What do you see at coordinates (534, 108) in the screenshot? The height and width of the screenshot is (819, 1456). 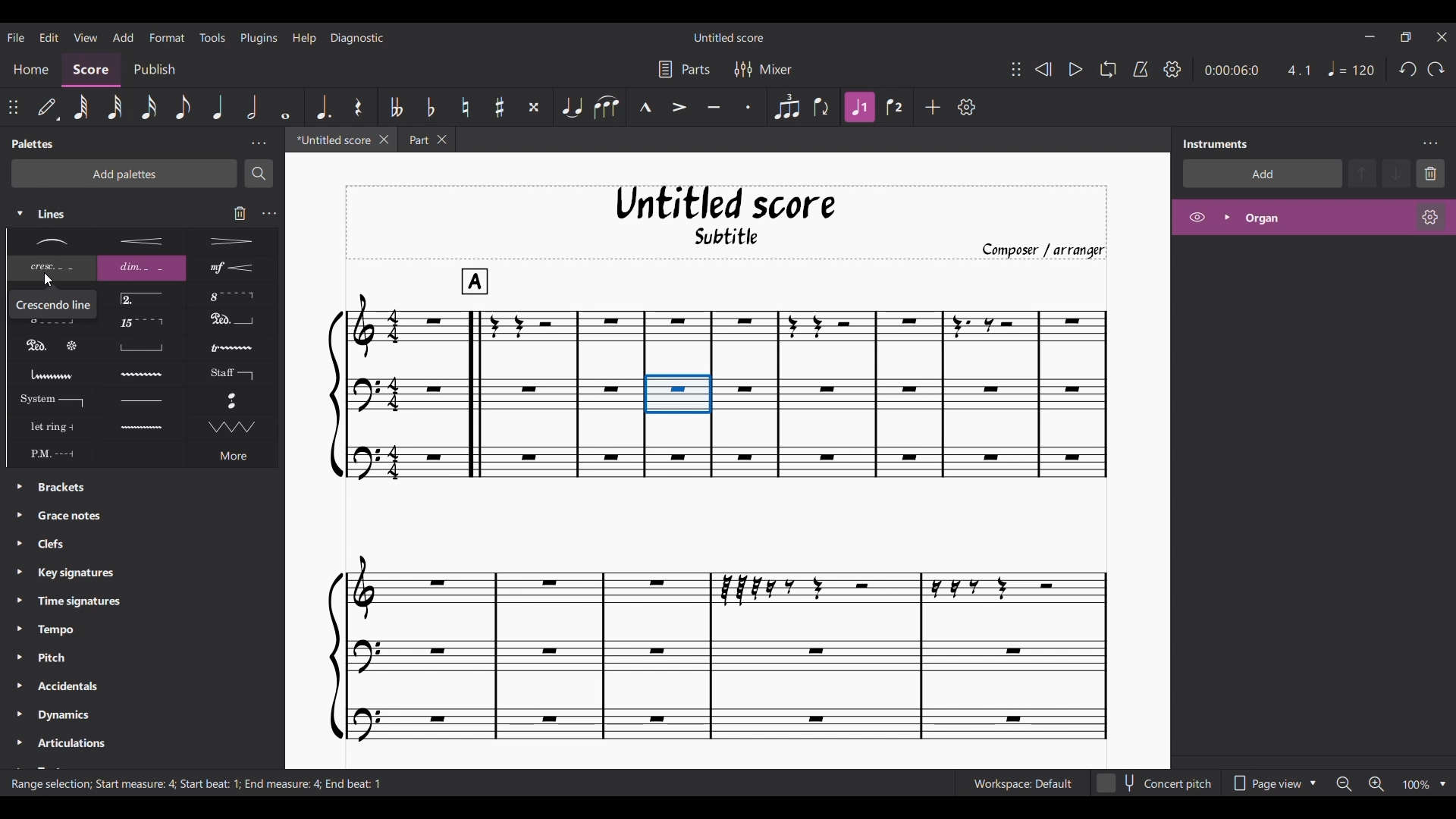 I see `Toggle double sharp` at bounding box center [534, 108].